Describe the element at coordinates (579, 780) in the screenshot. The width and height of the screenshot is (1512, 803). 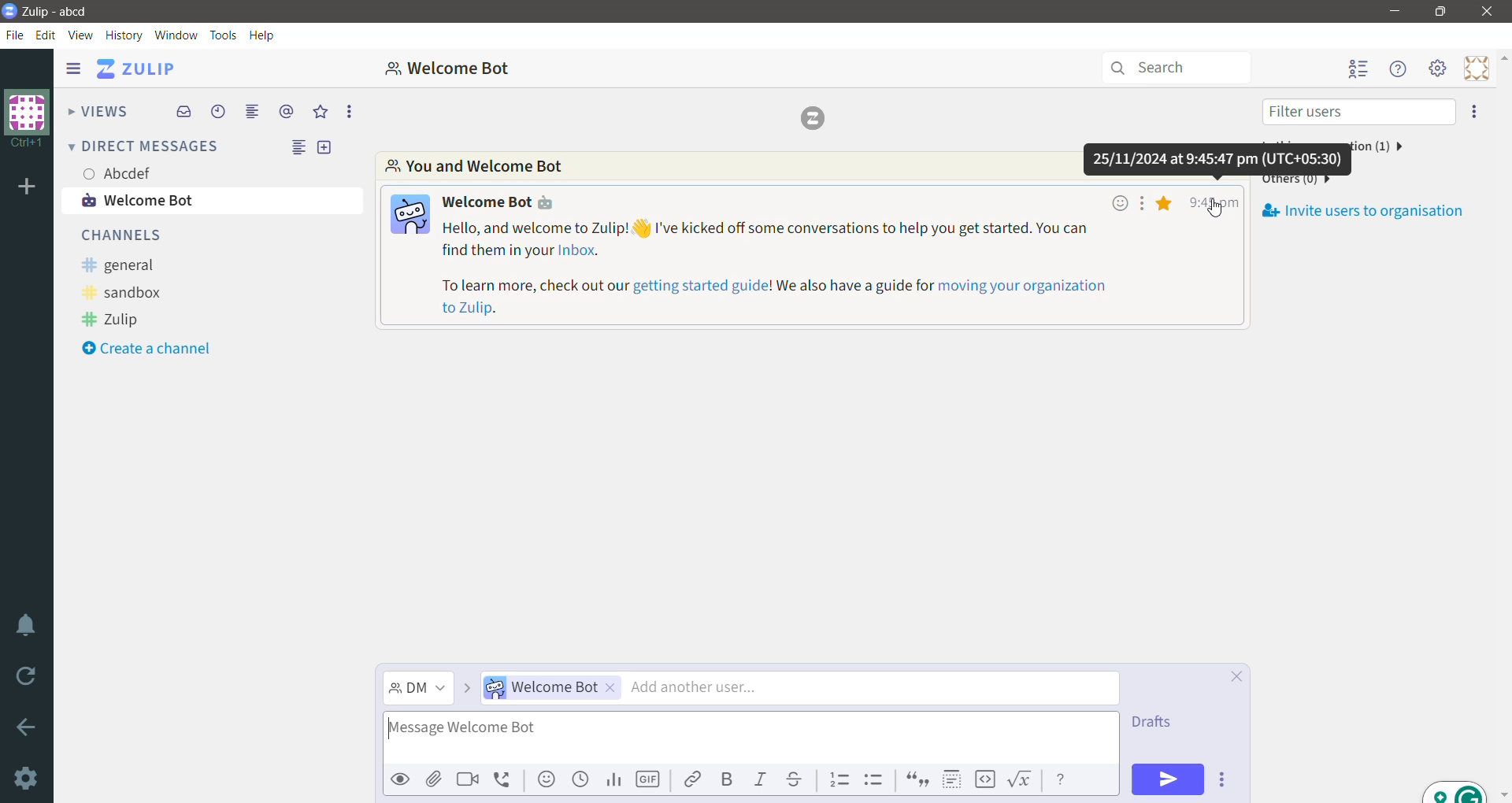
I see `Add Global Time` at that location.